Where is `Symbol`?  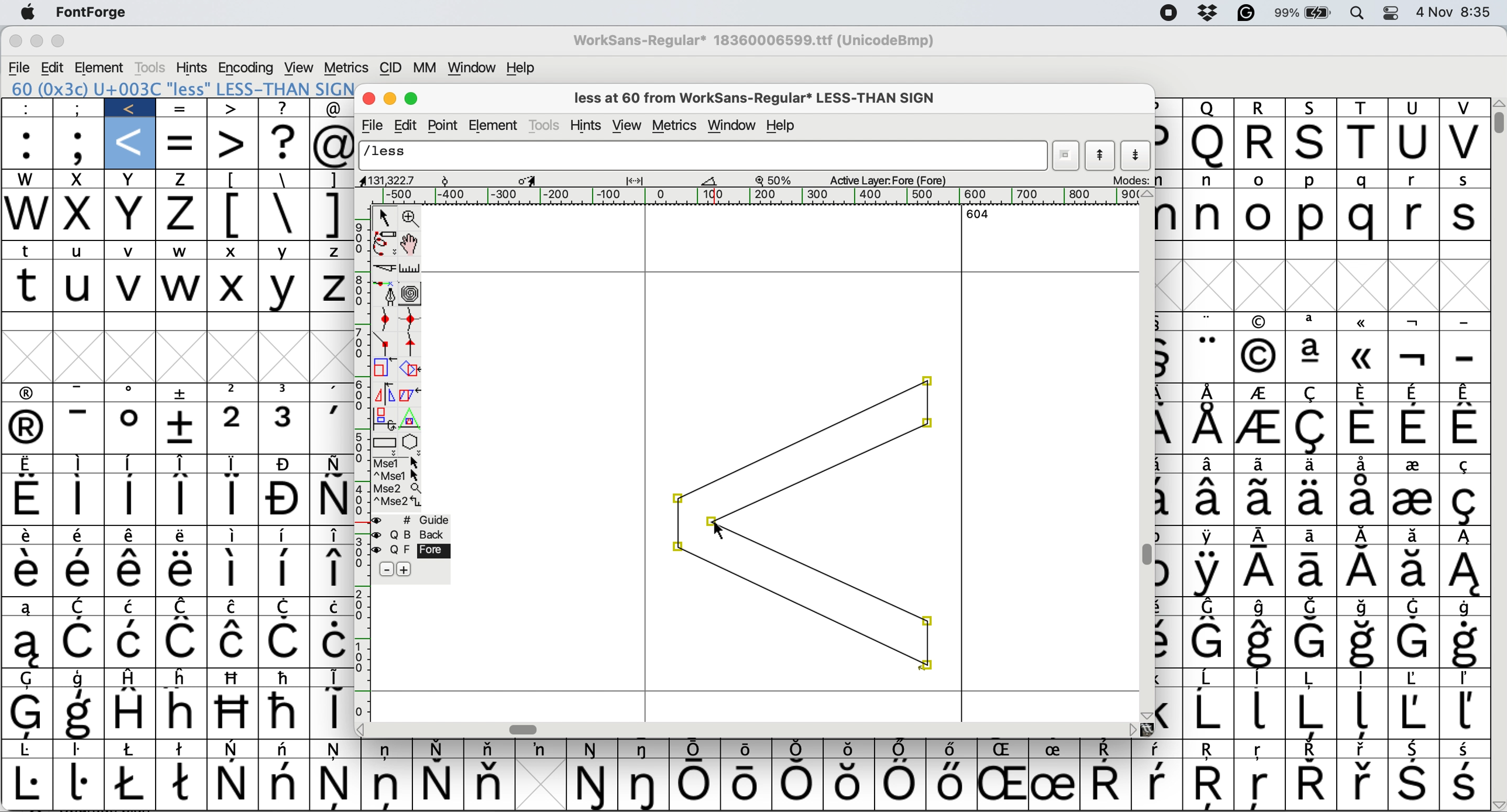 Symbol is located at coordinates (131, 642).